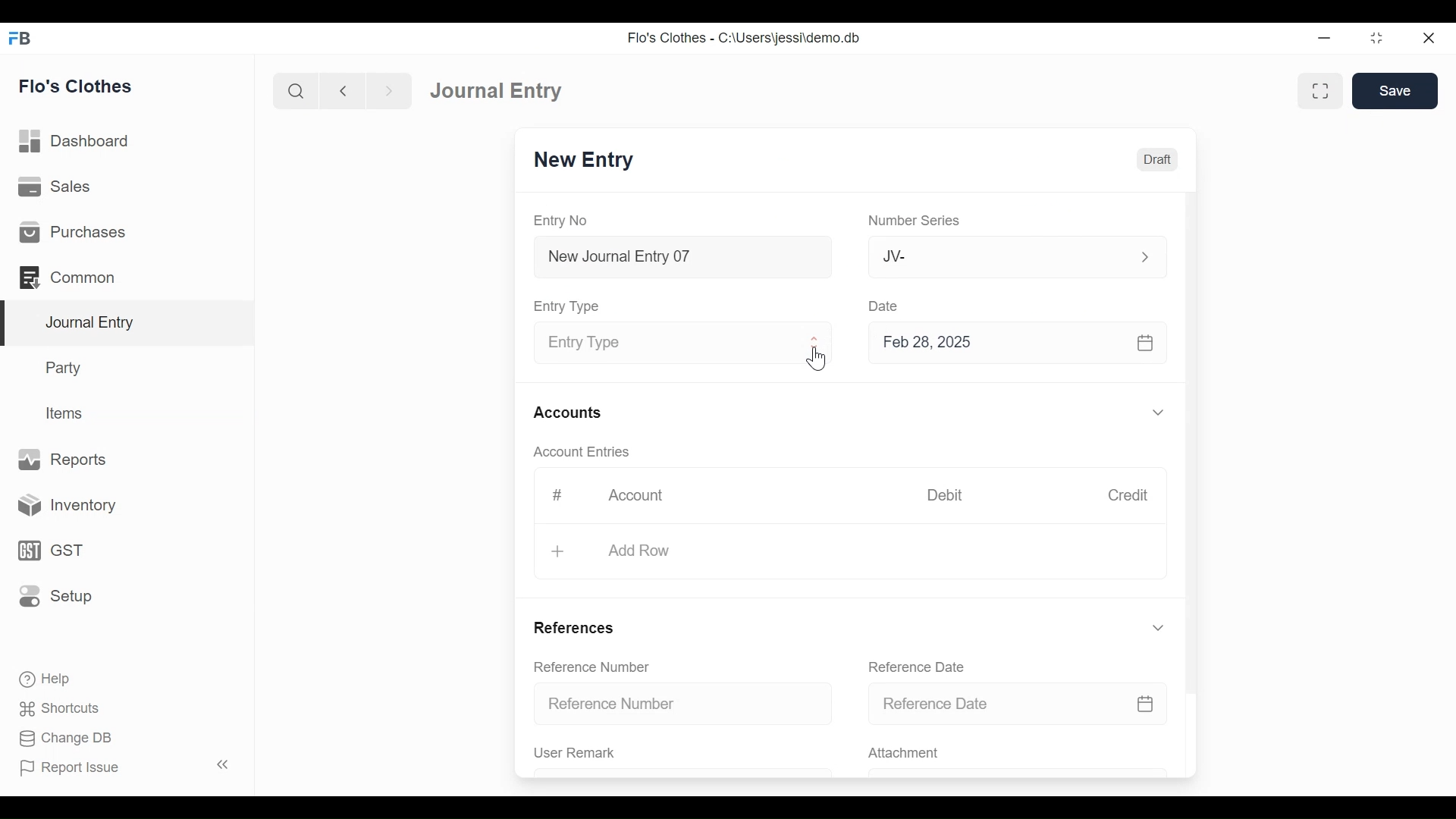  I want to click on GST, so click(49, 552).